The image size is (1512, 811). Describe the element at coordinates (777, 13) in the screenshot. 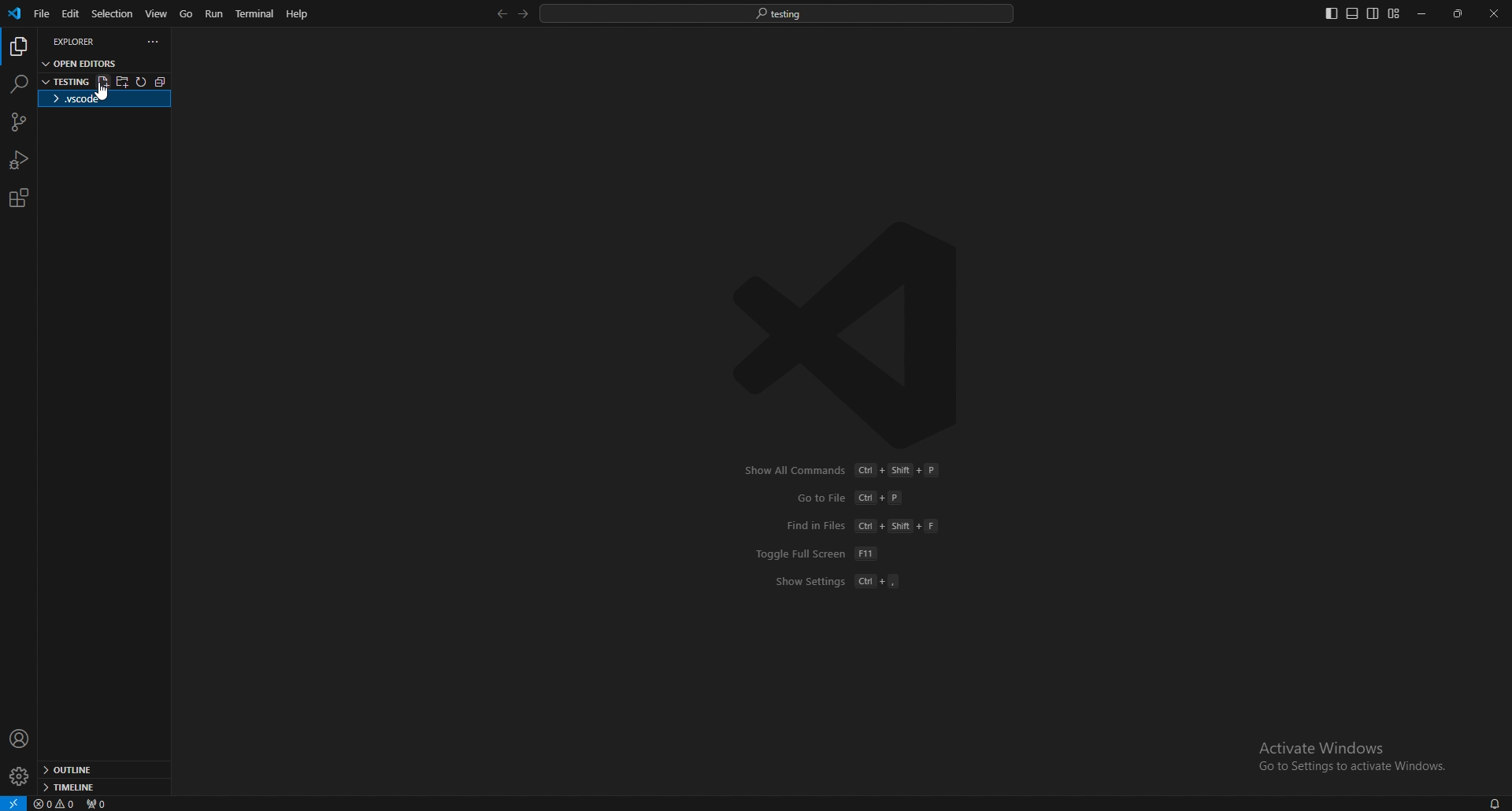

I see `search bar` at that location.